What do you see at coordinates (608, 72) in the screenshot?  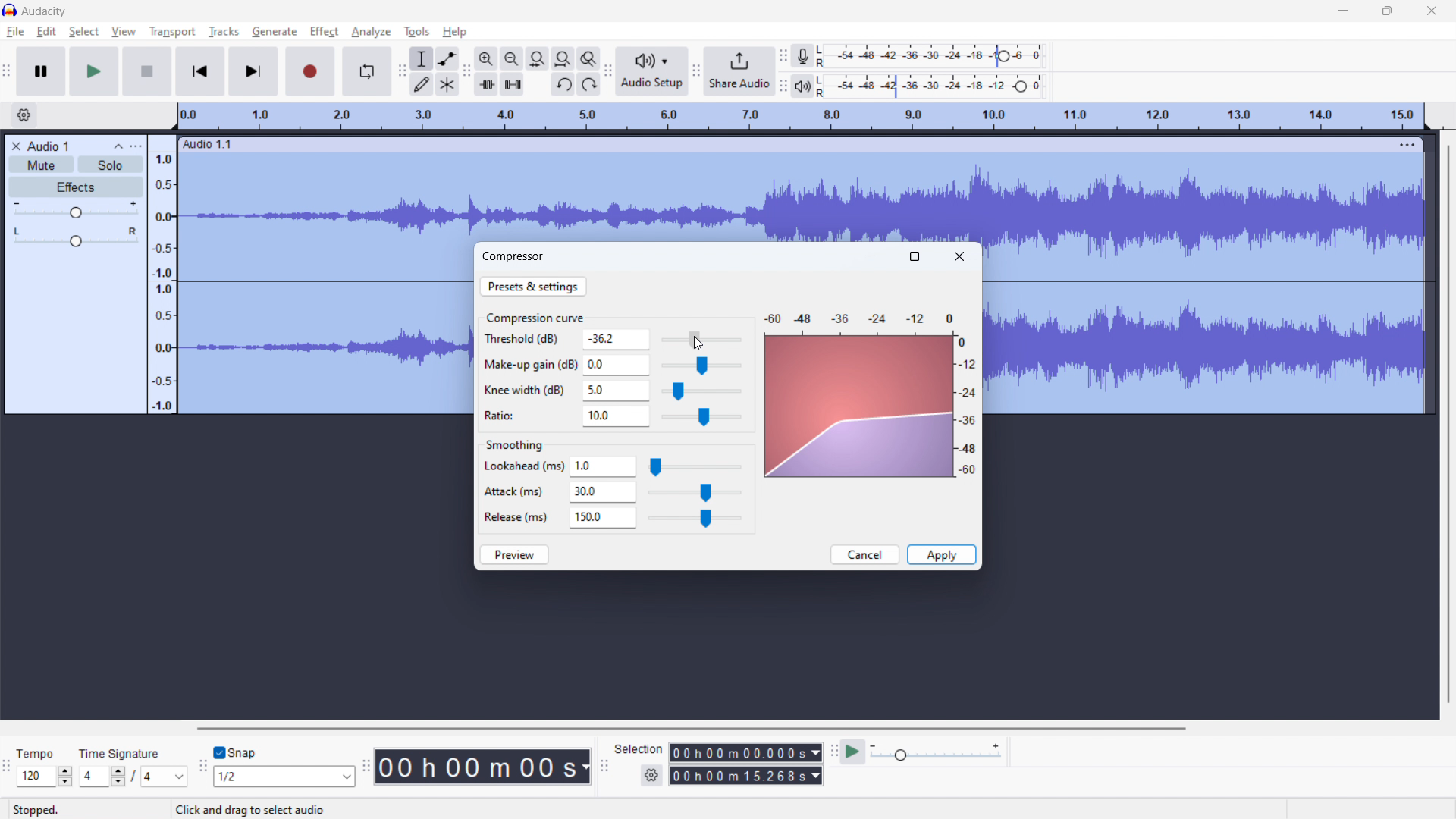 I see `Audio setup toolbar` at bounding box center [608, 72].